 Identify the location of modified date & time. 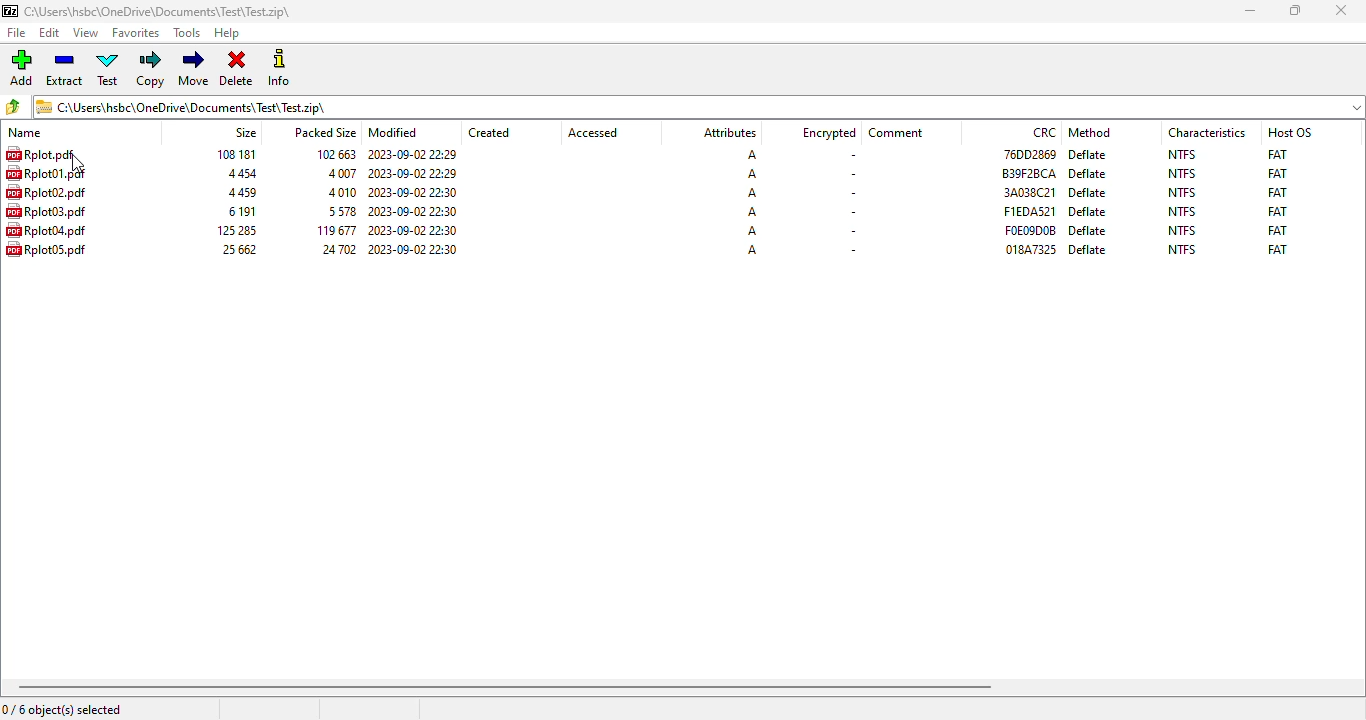
(412, 155).